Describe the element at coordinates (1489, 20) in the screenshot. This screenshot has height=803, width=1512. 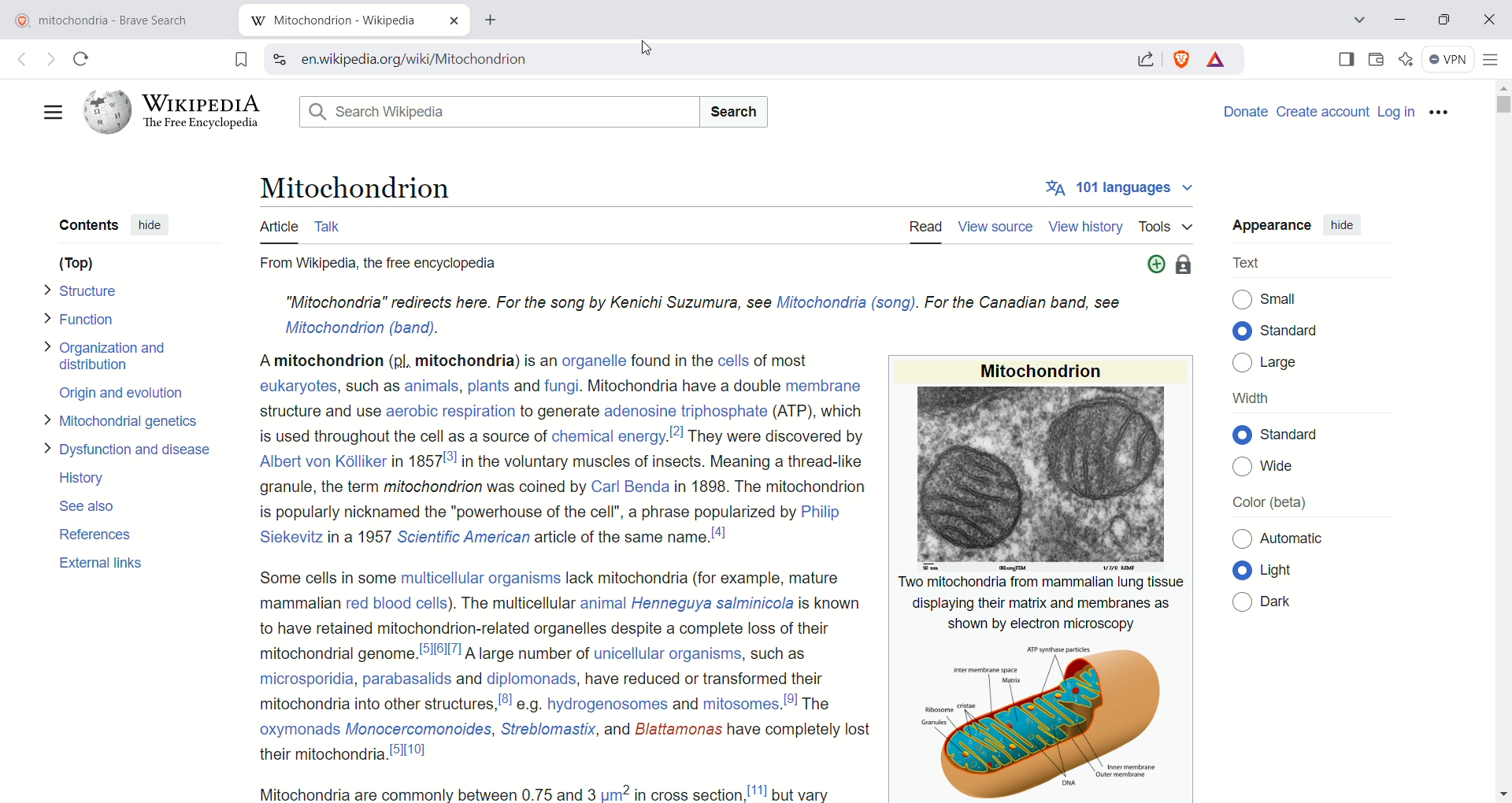
I see `close` at that location.